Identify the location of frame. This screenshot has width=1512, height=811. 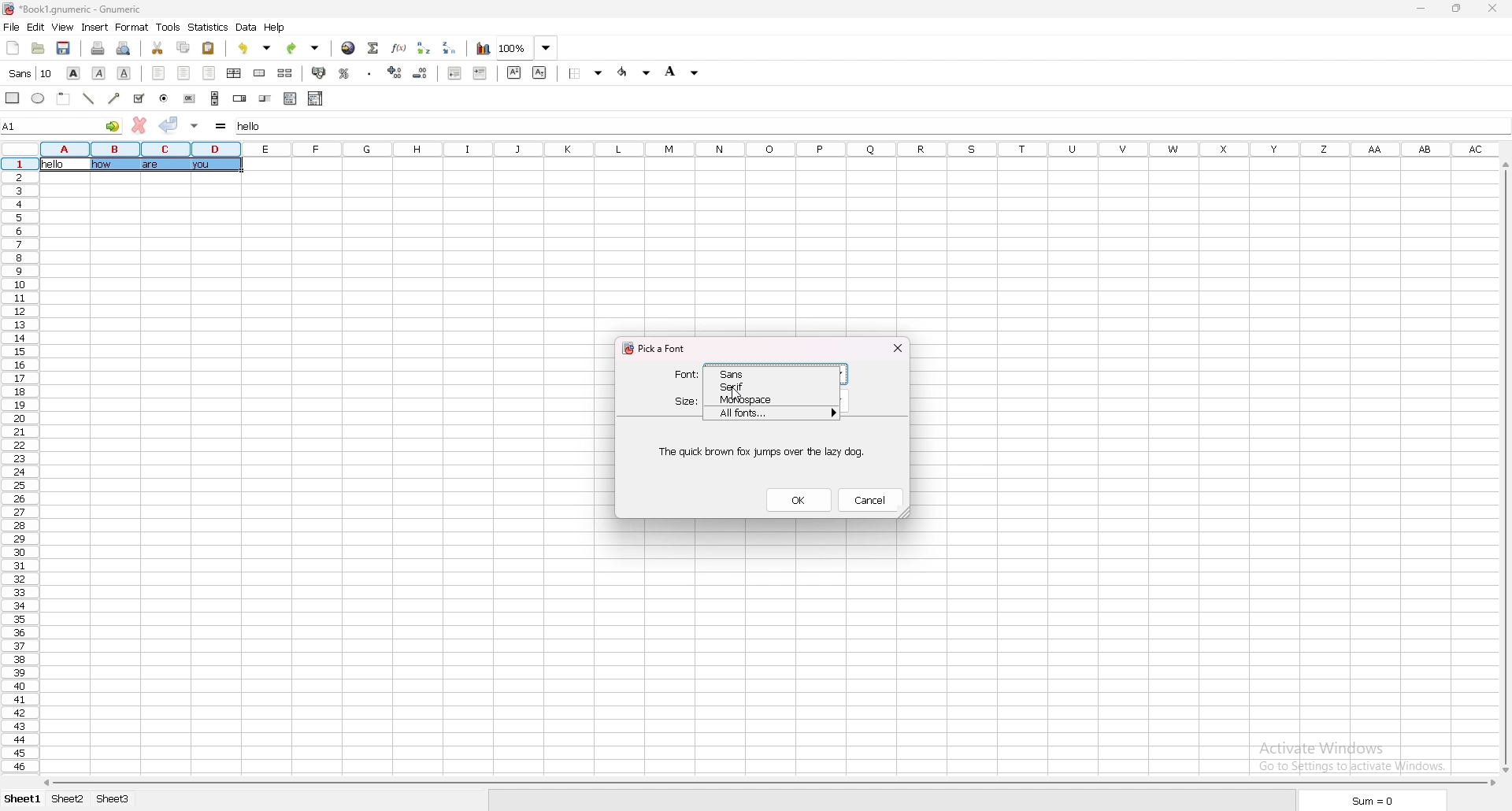
(63, 98).